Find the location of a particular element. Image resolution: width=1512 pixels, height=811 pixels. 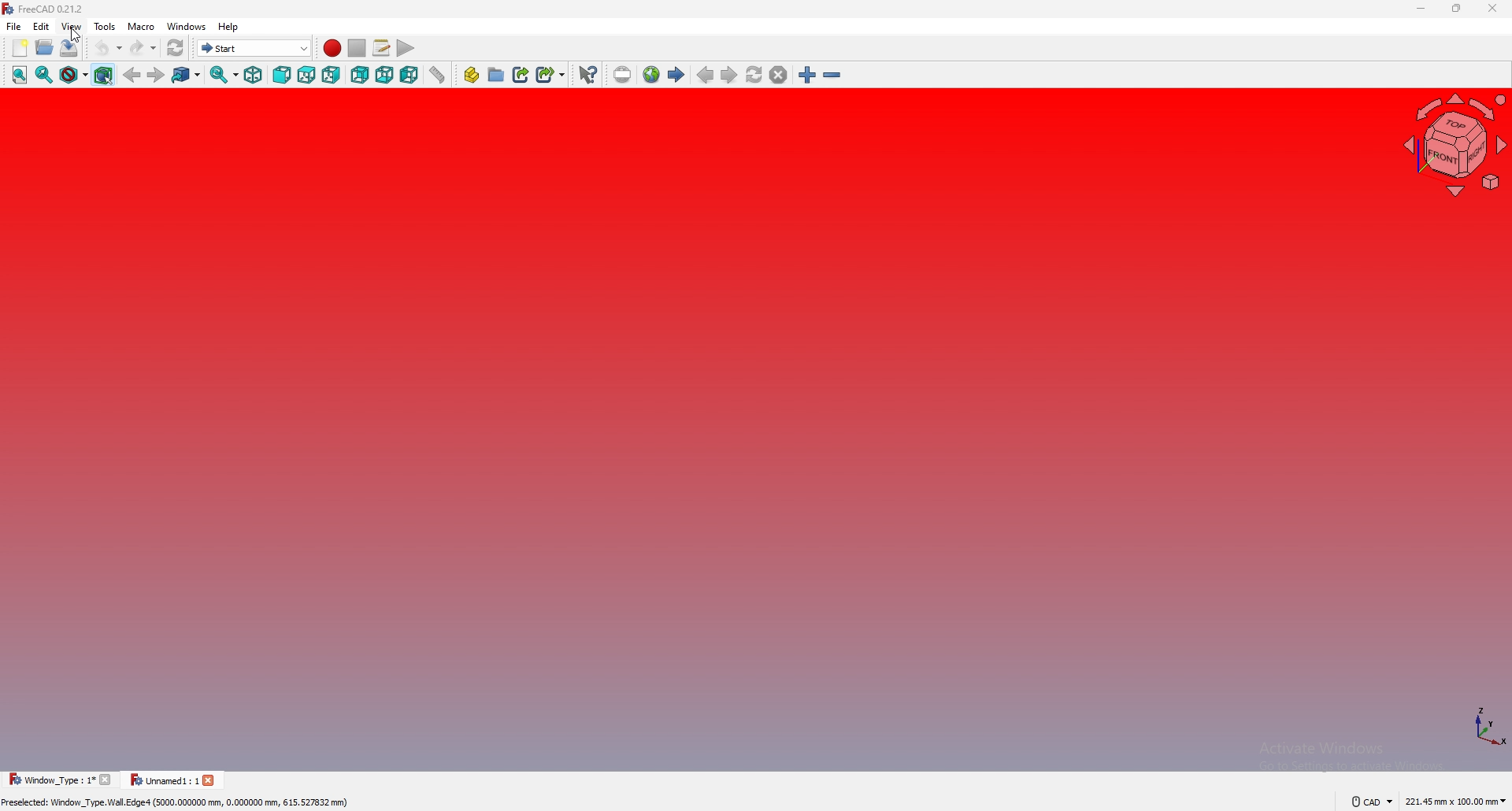

fit selection is located at coordinates (46, 74).